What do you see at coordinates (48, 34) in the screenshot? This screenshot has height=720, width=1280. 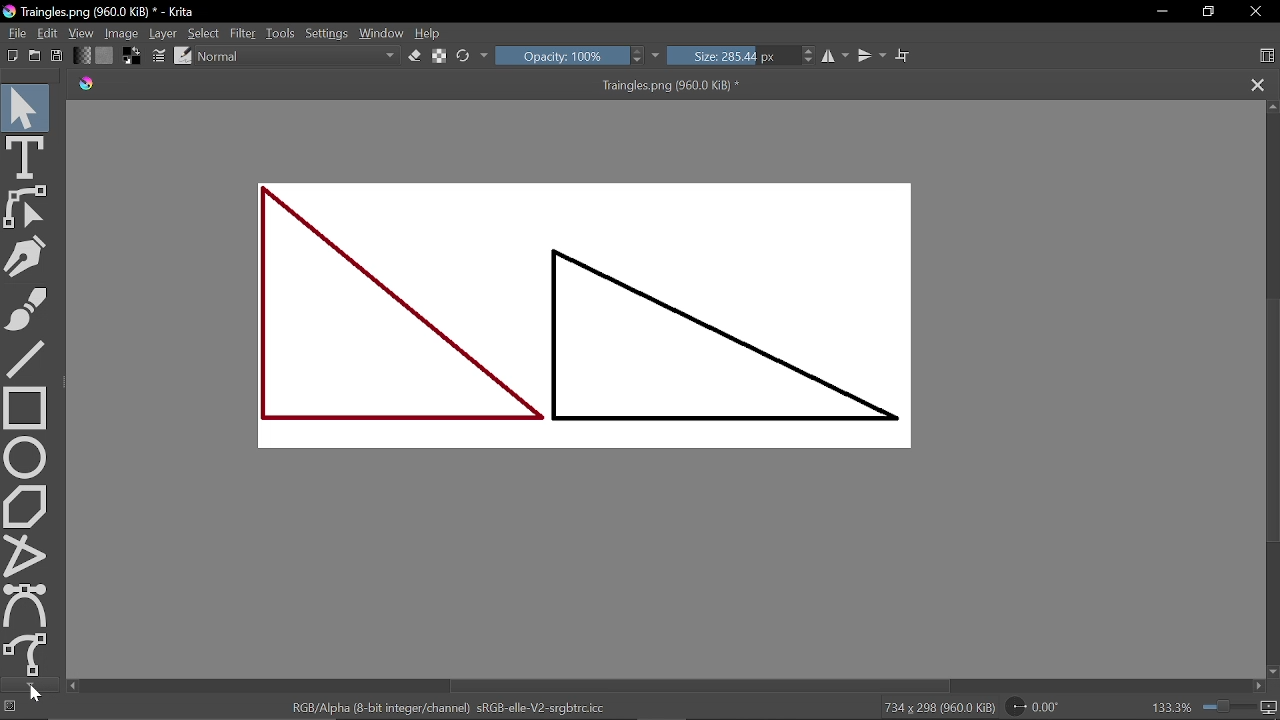 I see `Edit` at bounding box center [48, 34].